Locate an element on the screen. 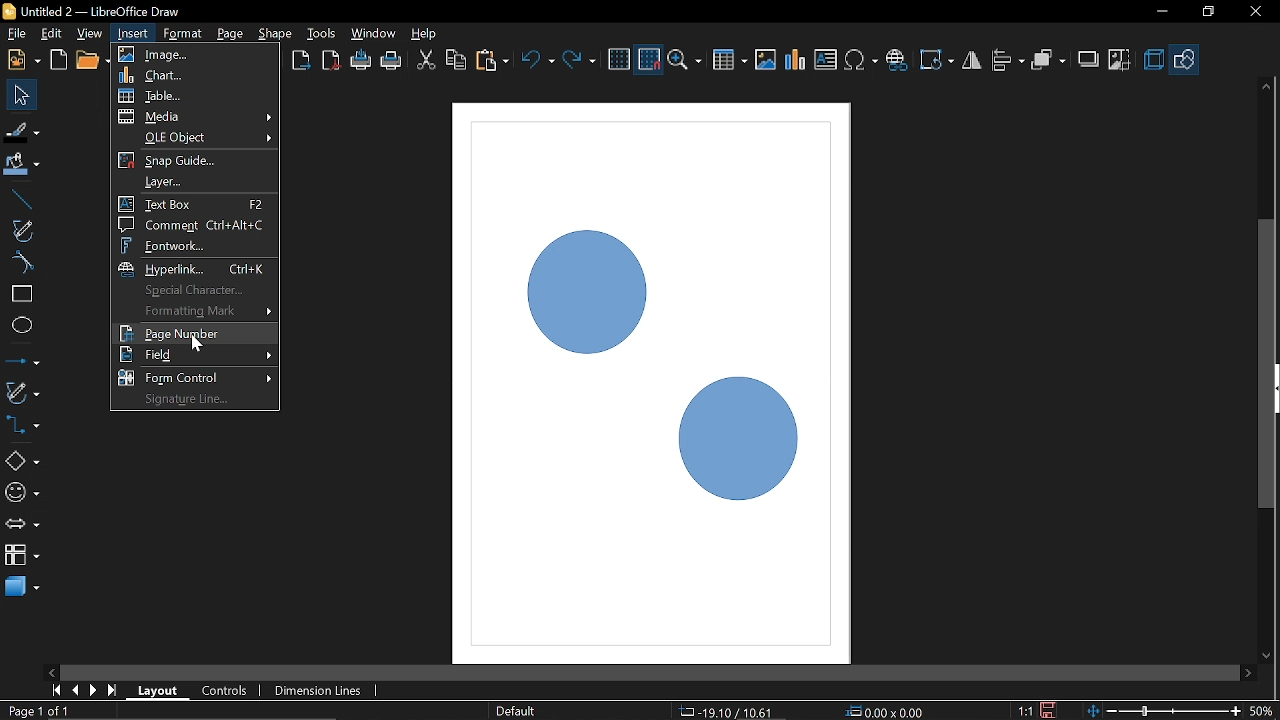  go to first page is located at coordinates (58, 689).